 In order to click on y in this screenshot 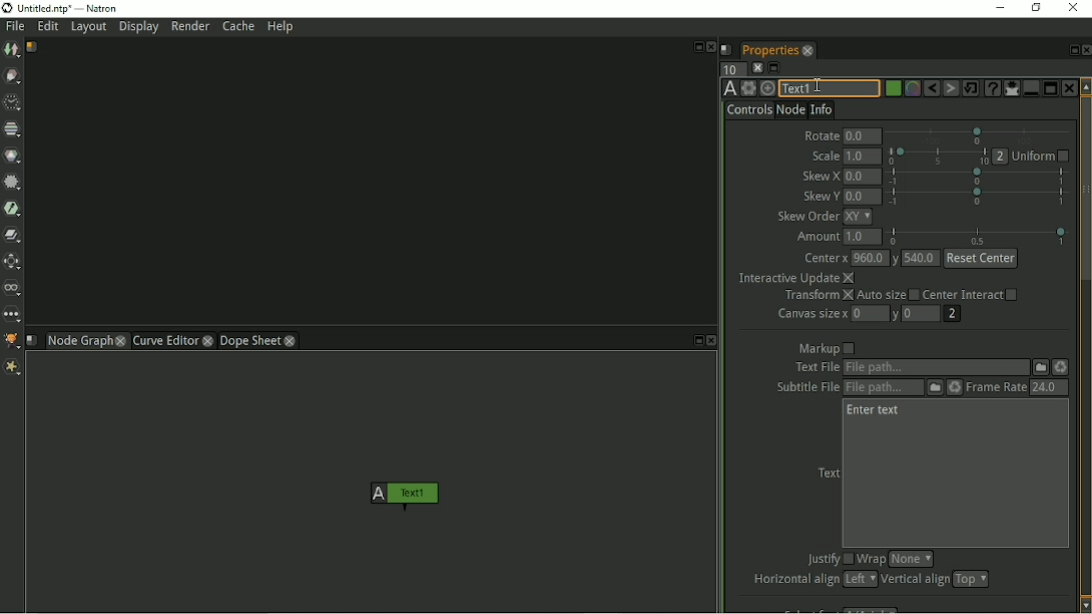, I will do `click(896, 258)`.